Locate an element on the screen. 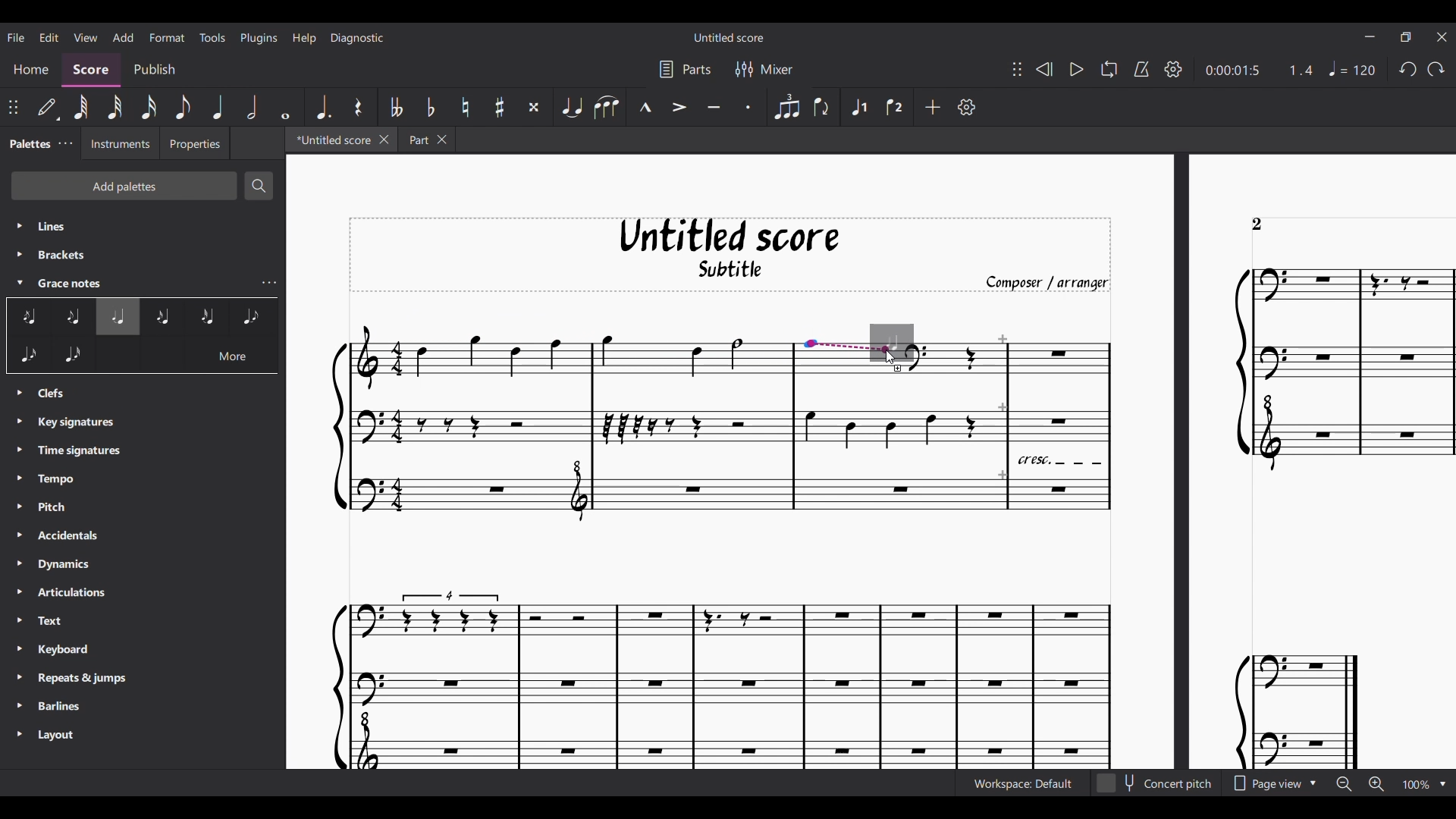 This screenshot has height=819, width=1456. Earlier tab is located at coordinates (427, 139).